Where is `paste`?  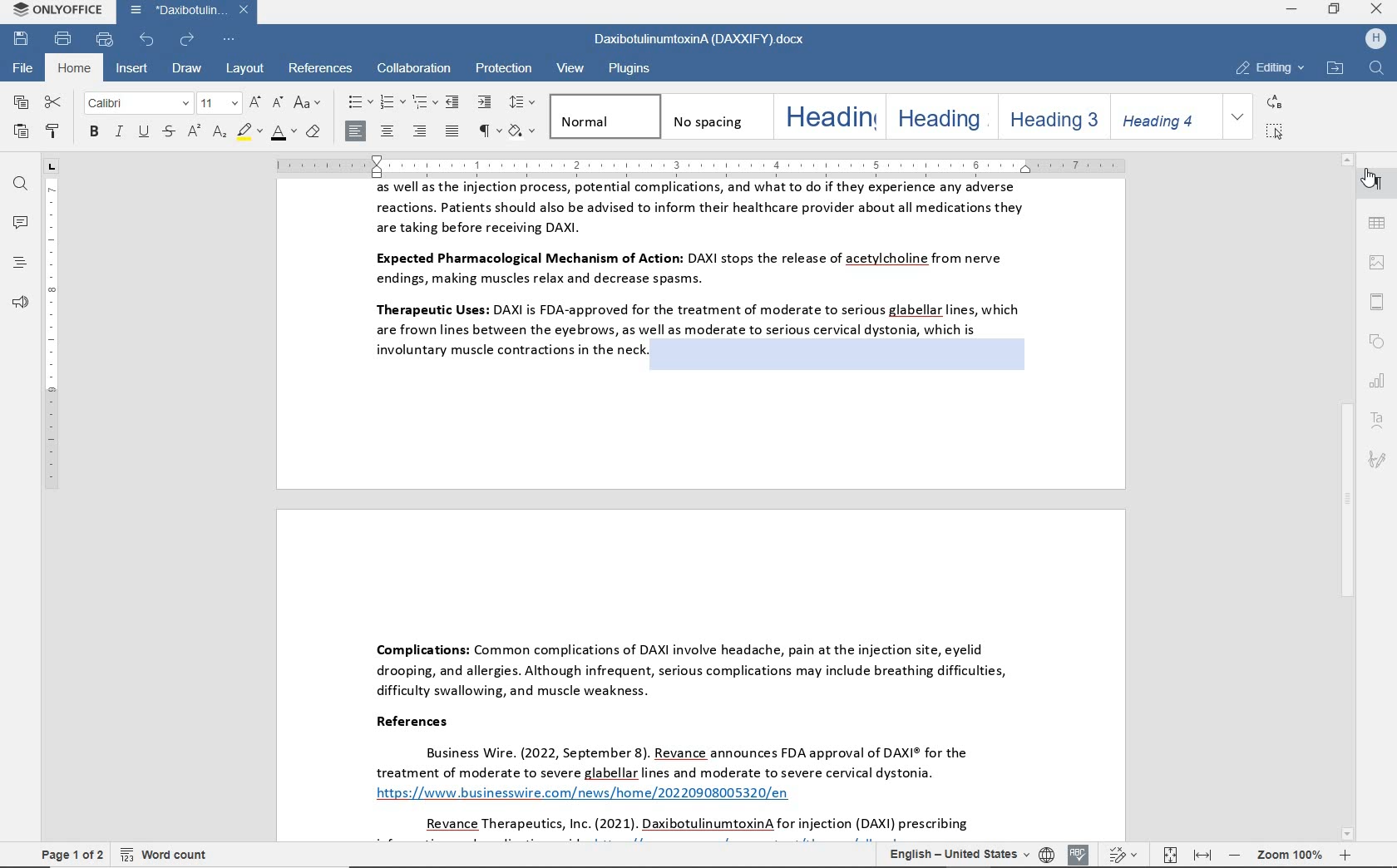 paste is located at coordinates (22, 133).